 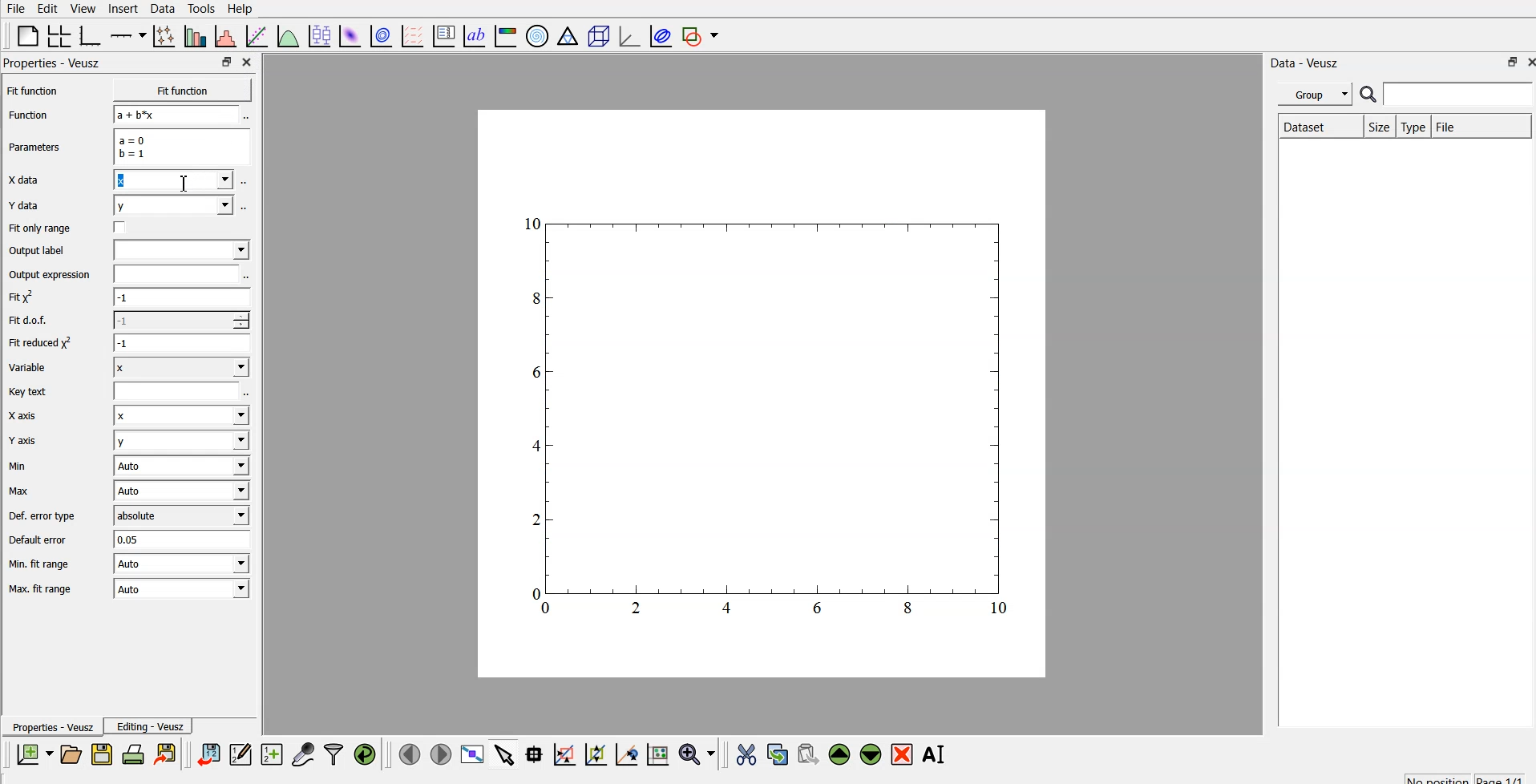 I want to click on save, so click(x=102, y=756).